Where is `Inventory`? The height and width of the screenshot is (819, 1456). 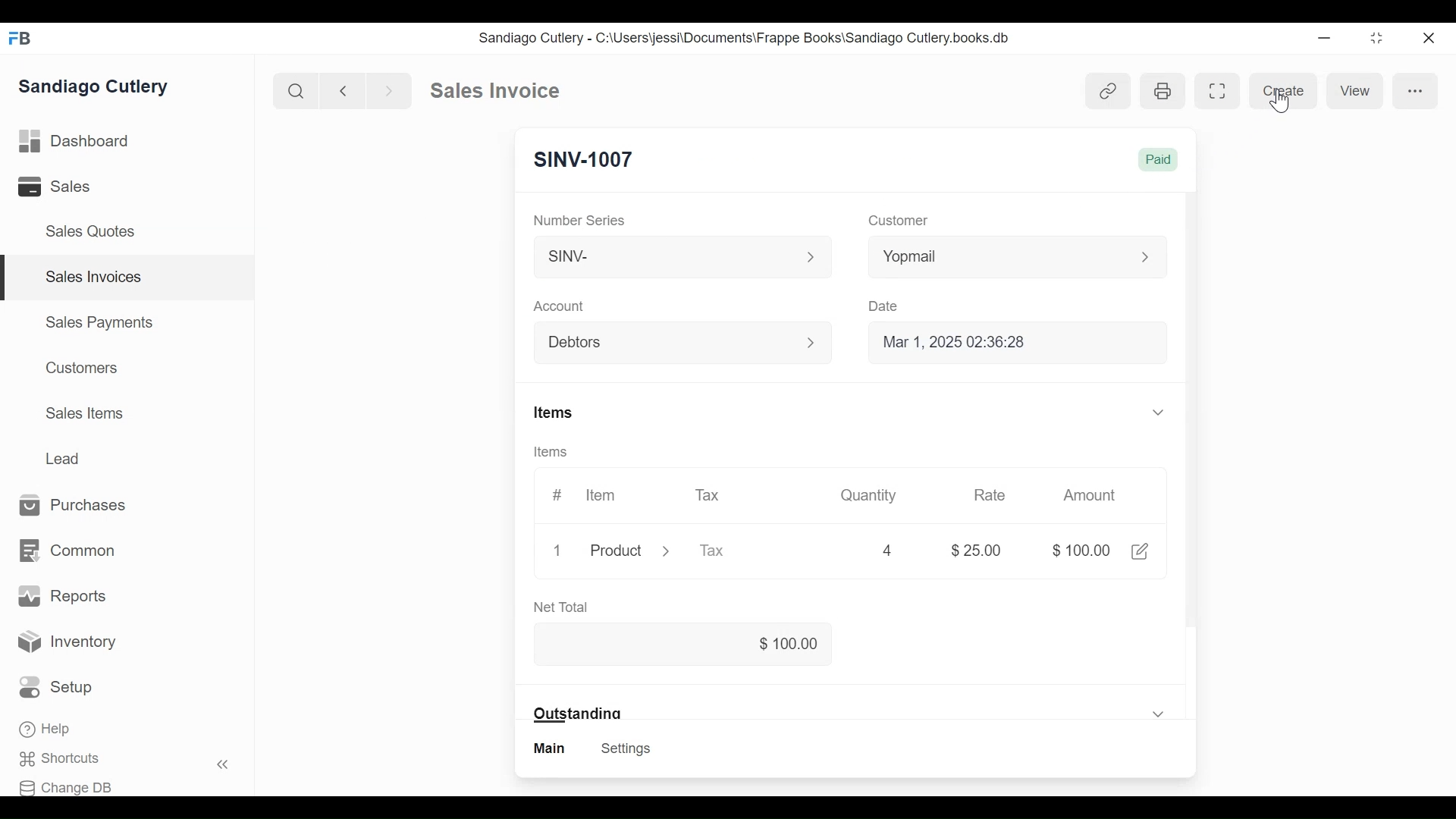 Inventory is located at coordinates (65, 639).